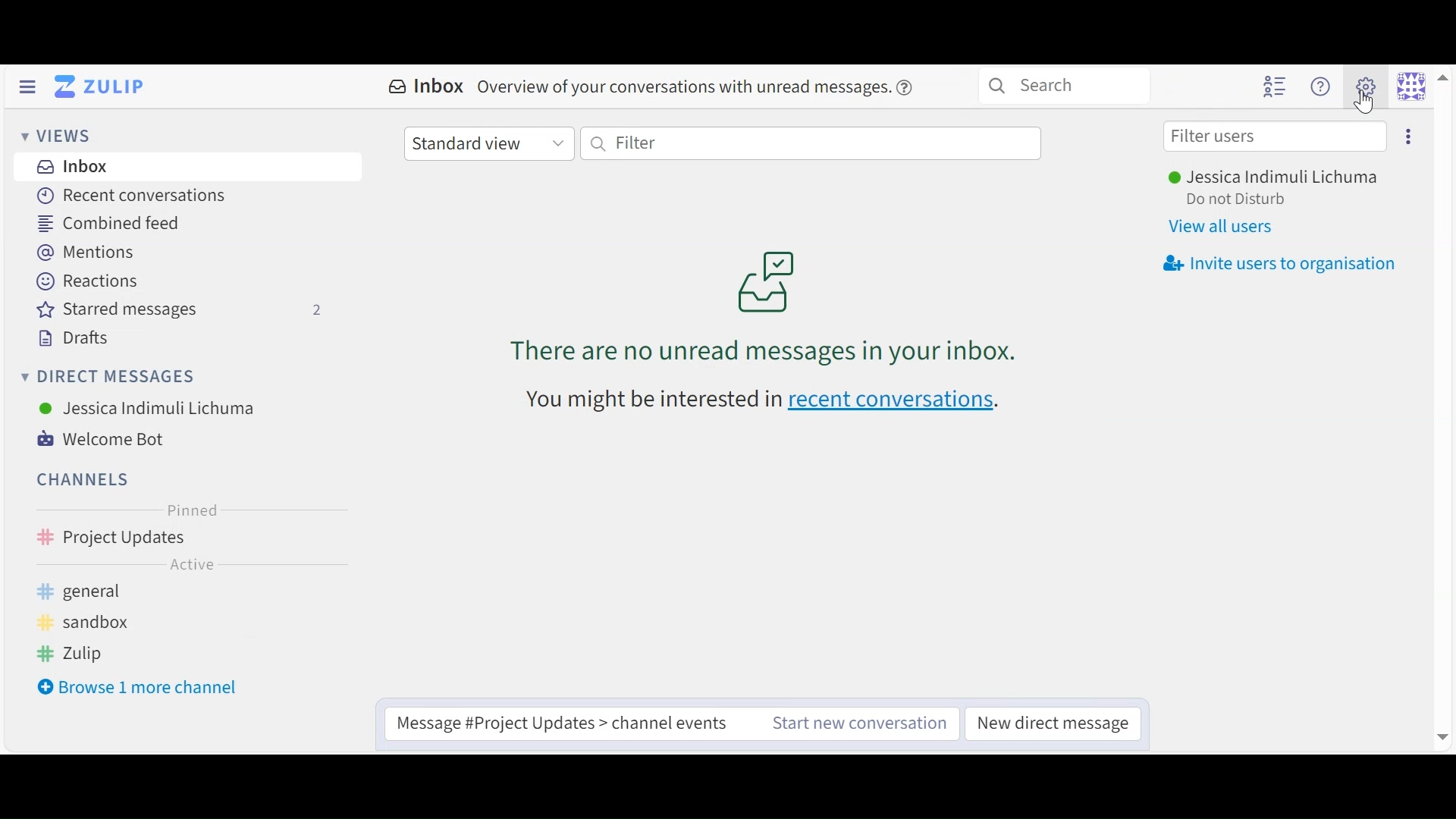 This screenshot has width=1456, height=819. What do you see at coordinates (140, 688) in the screenshot?
I see `Browse 1 more channel` at bounding box center [140, 688].